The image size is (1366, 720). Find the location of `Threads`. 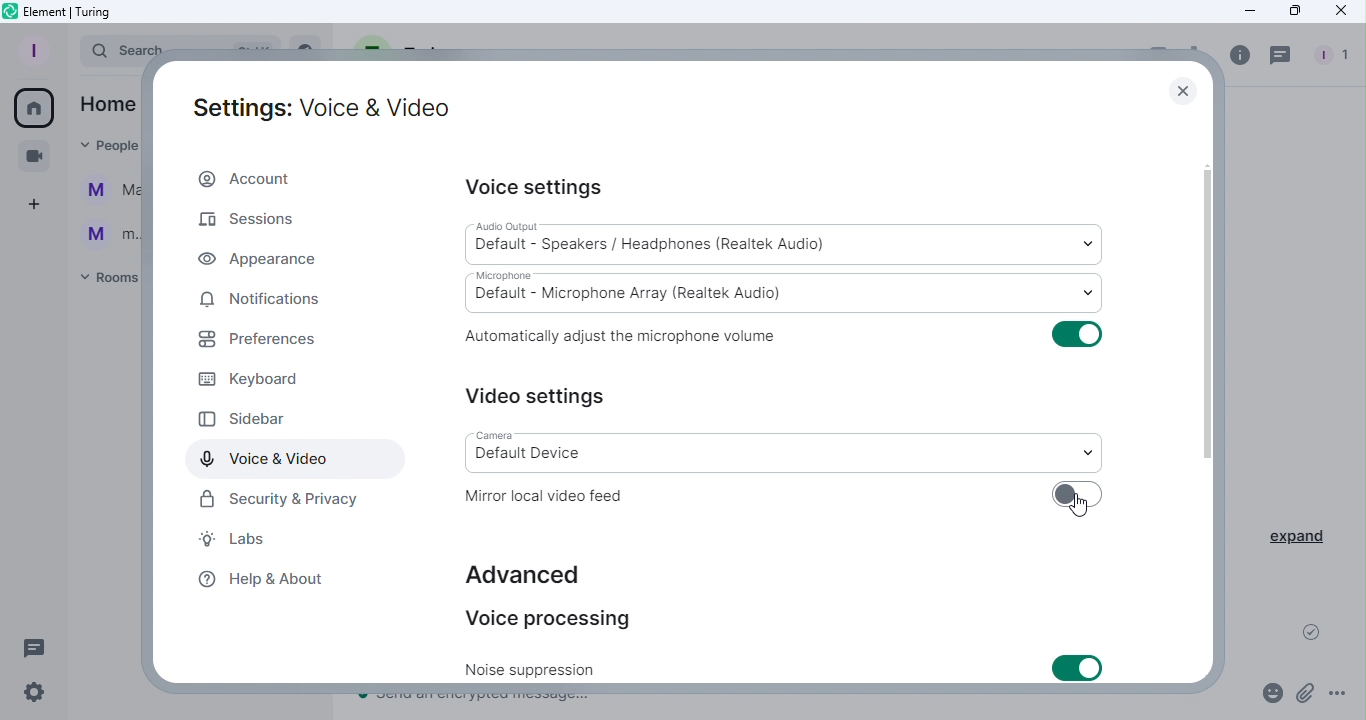

Threads is located at coordinates (37, 647).